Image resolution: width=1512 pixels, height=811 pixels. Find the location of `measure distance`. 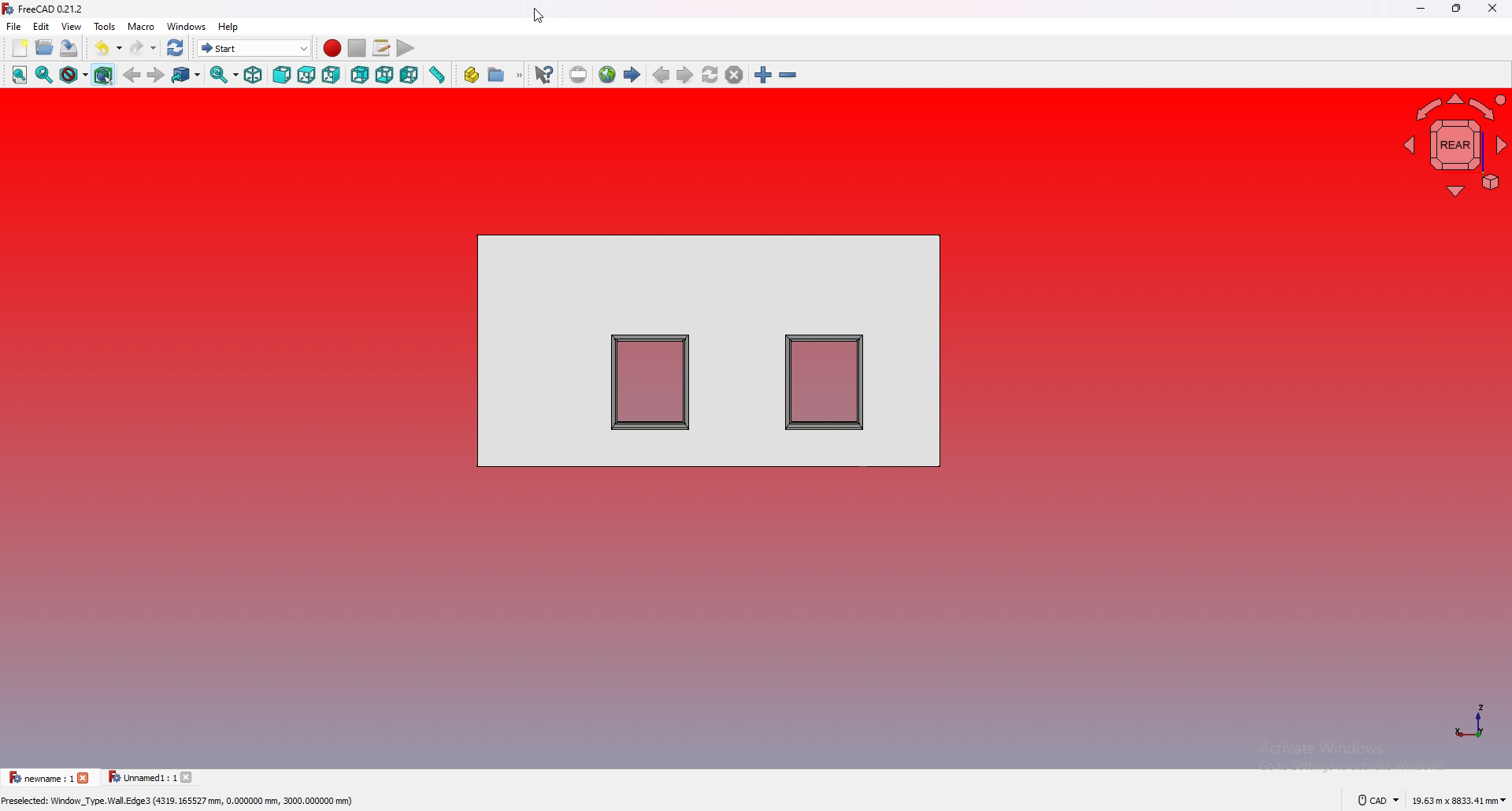

measure distance is located at coordinates (436, 75).